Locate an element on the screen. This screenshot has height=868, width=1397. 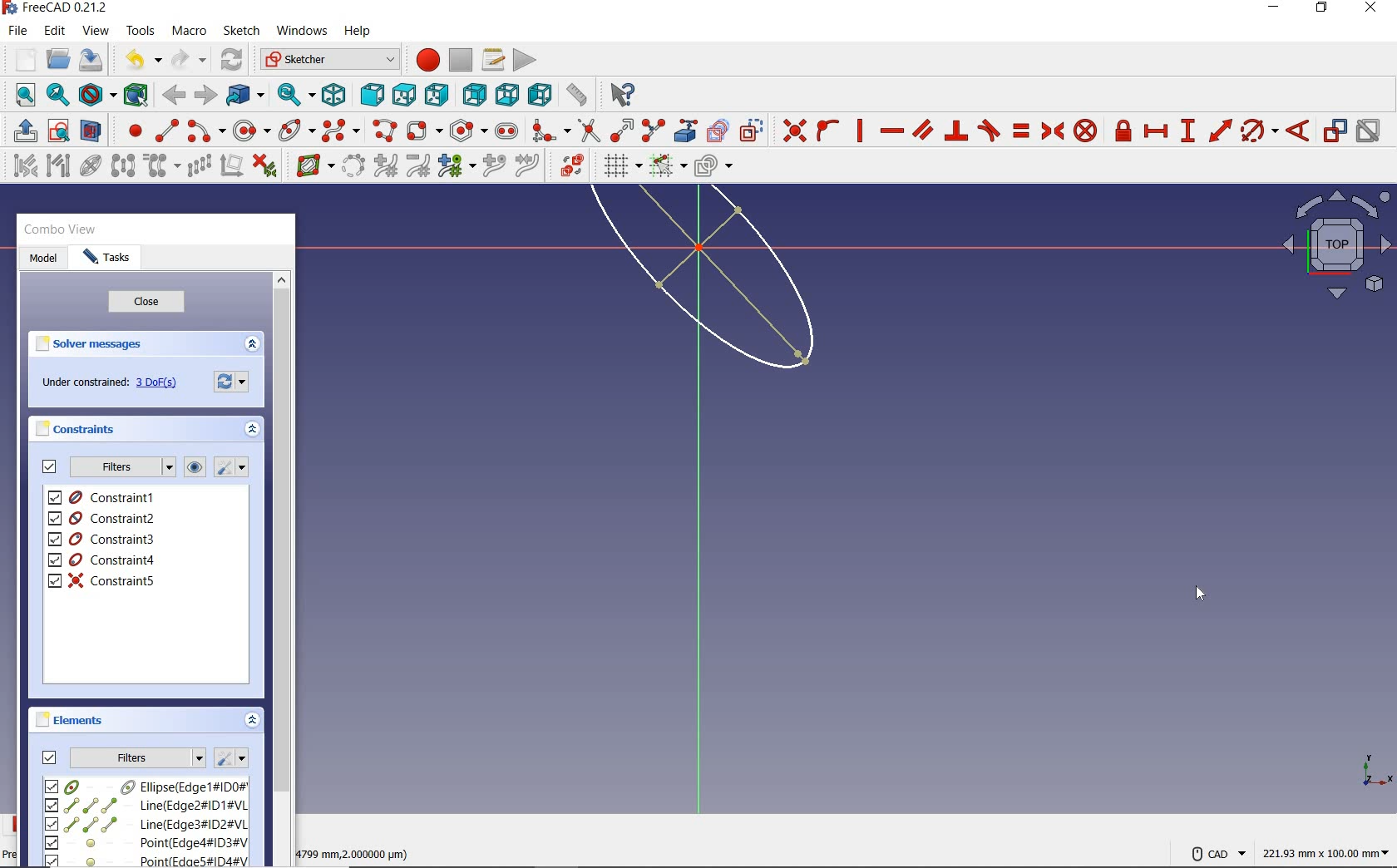
bottom is located at coordinates (507, 92).